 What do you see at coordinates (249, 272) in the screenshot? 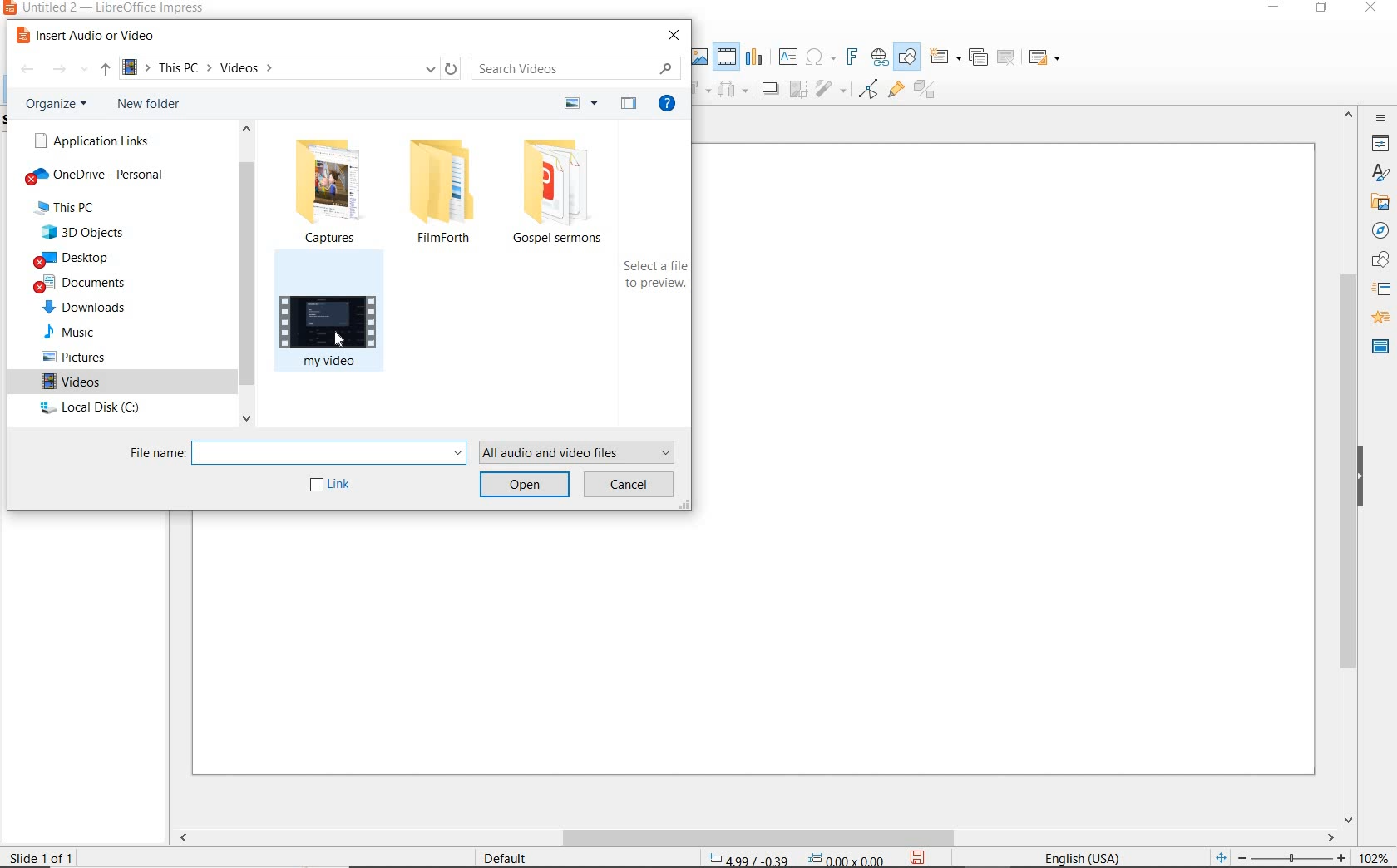
I see `scrollbar` at bounding box center [249, 272].